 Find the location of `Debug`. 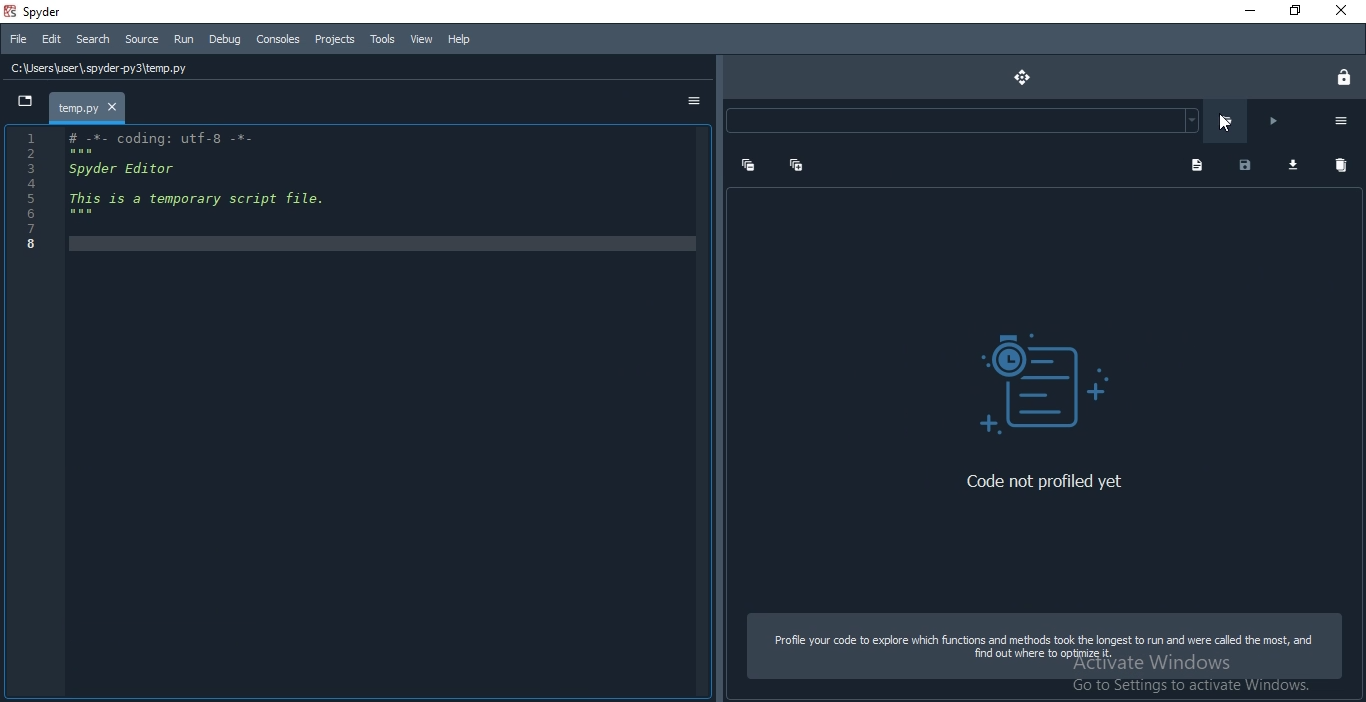

Debug is located at coordinates (225, 40).